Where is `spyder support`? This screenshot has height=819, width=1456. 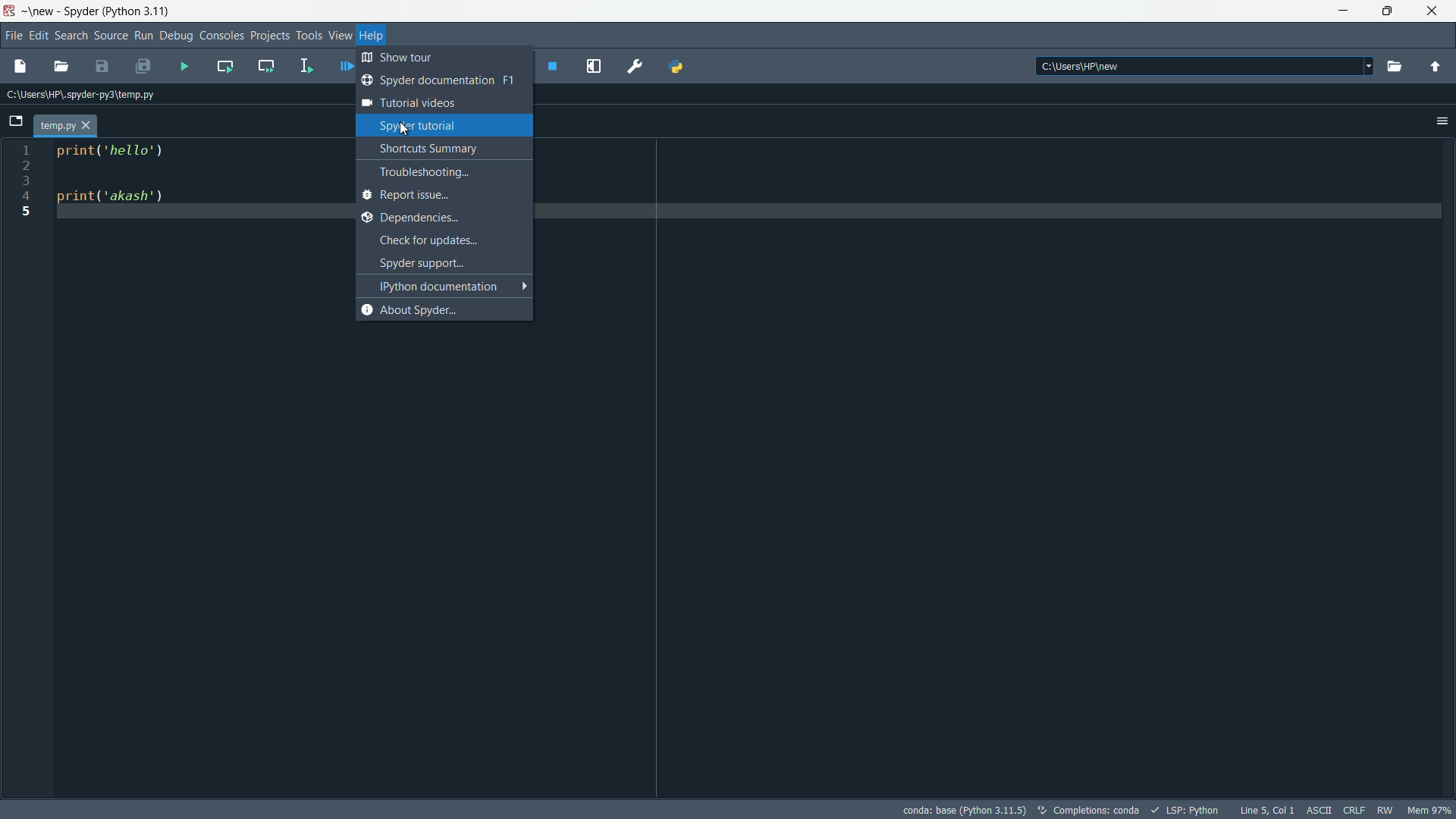 spyder support is located at coordinates (444, 262).